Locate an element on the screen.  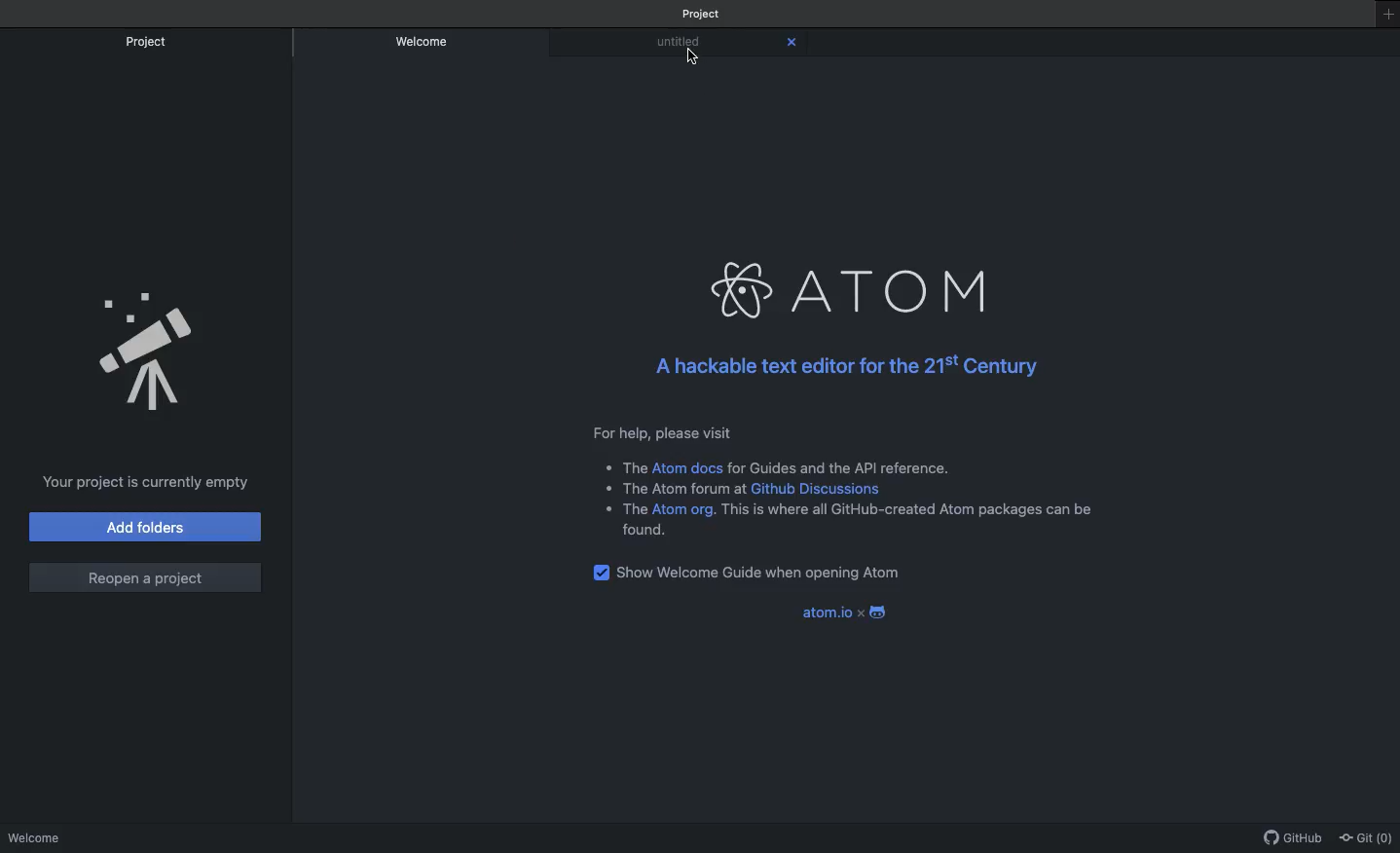
Welcome is located at coordinates (423, 44).